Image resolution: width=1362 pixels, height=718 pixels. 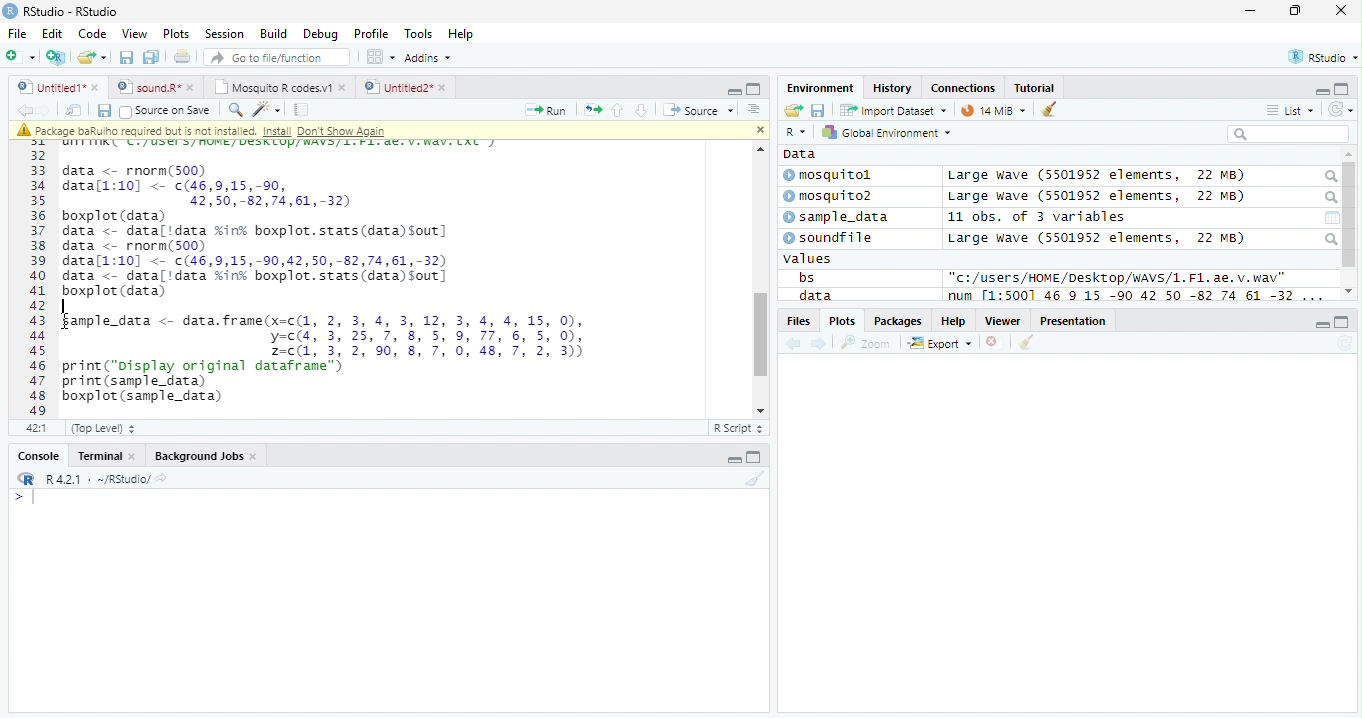 What do you see at coordinates (126, 57) in the screenshot?
I see `Save the current document` at bounding box center [126, 57].